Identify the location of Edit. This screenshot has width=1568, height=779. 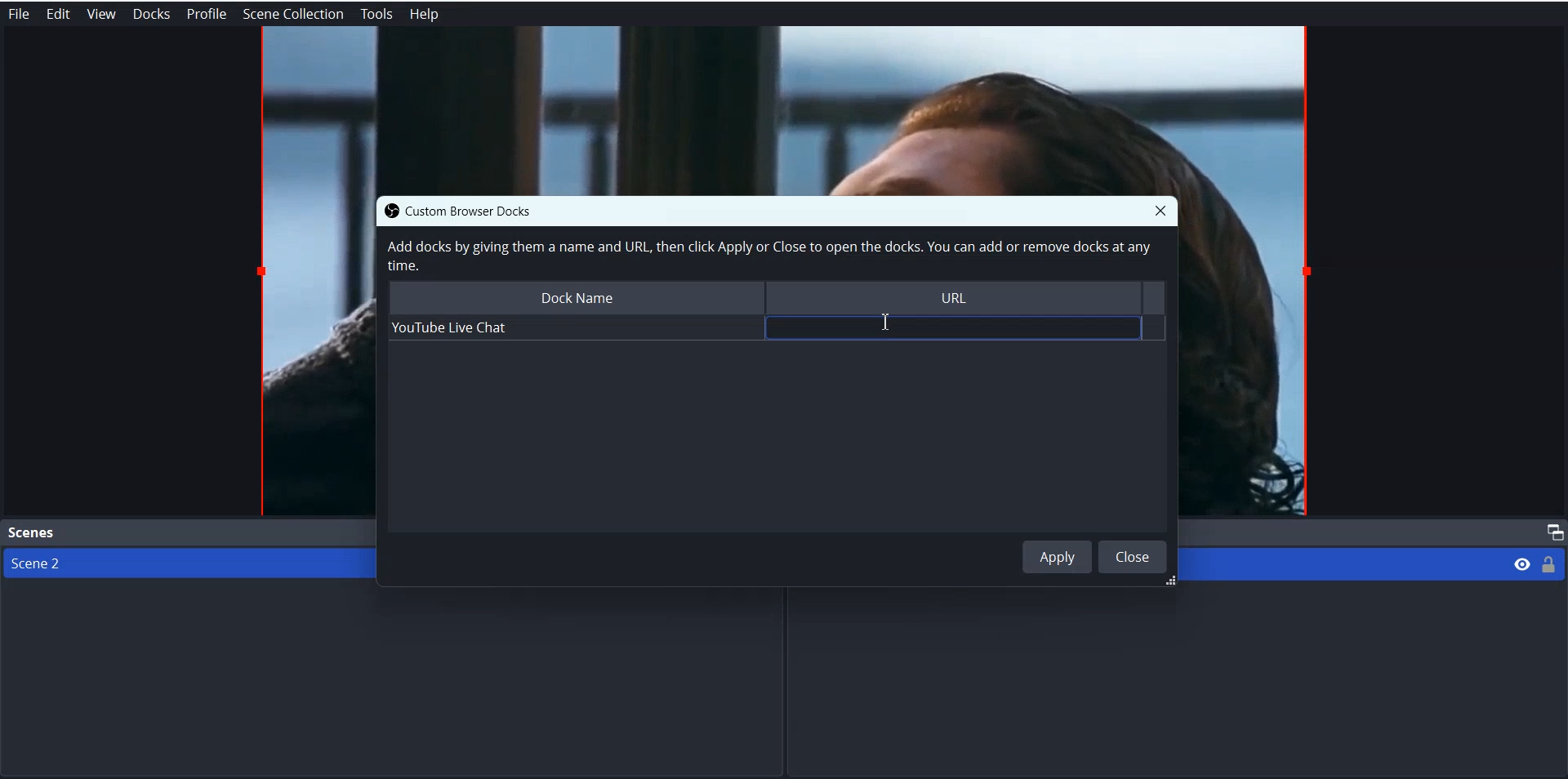
(57, 14).